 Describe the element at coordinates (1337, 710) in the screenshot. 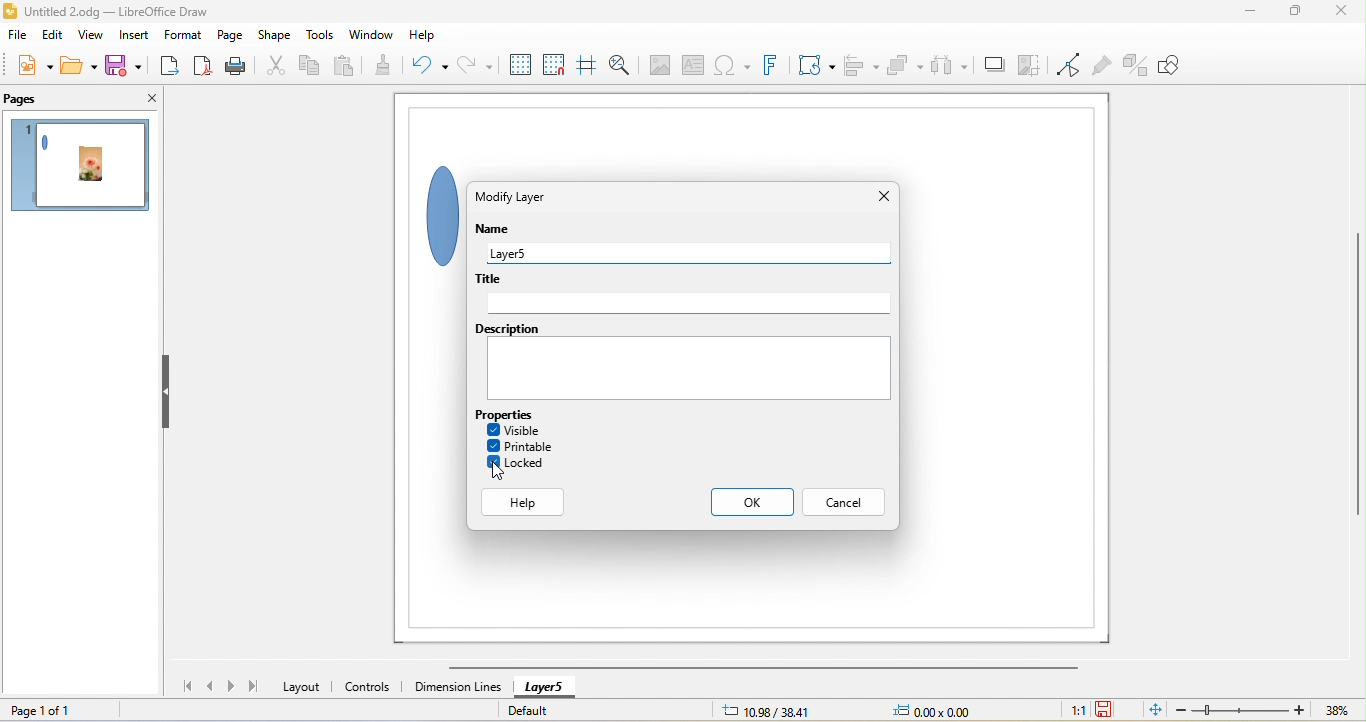

I see `zoom factor` at that location.